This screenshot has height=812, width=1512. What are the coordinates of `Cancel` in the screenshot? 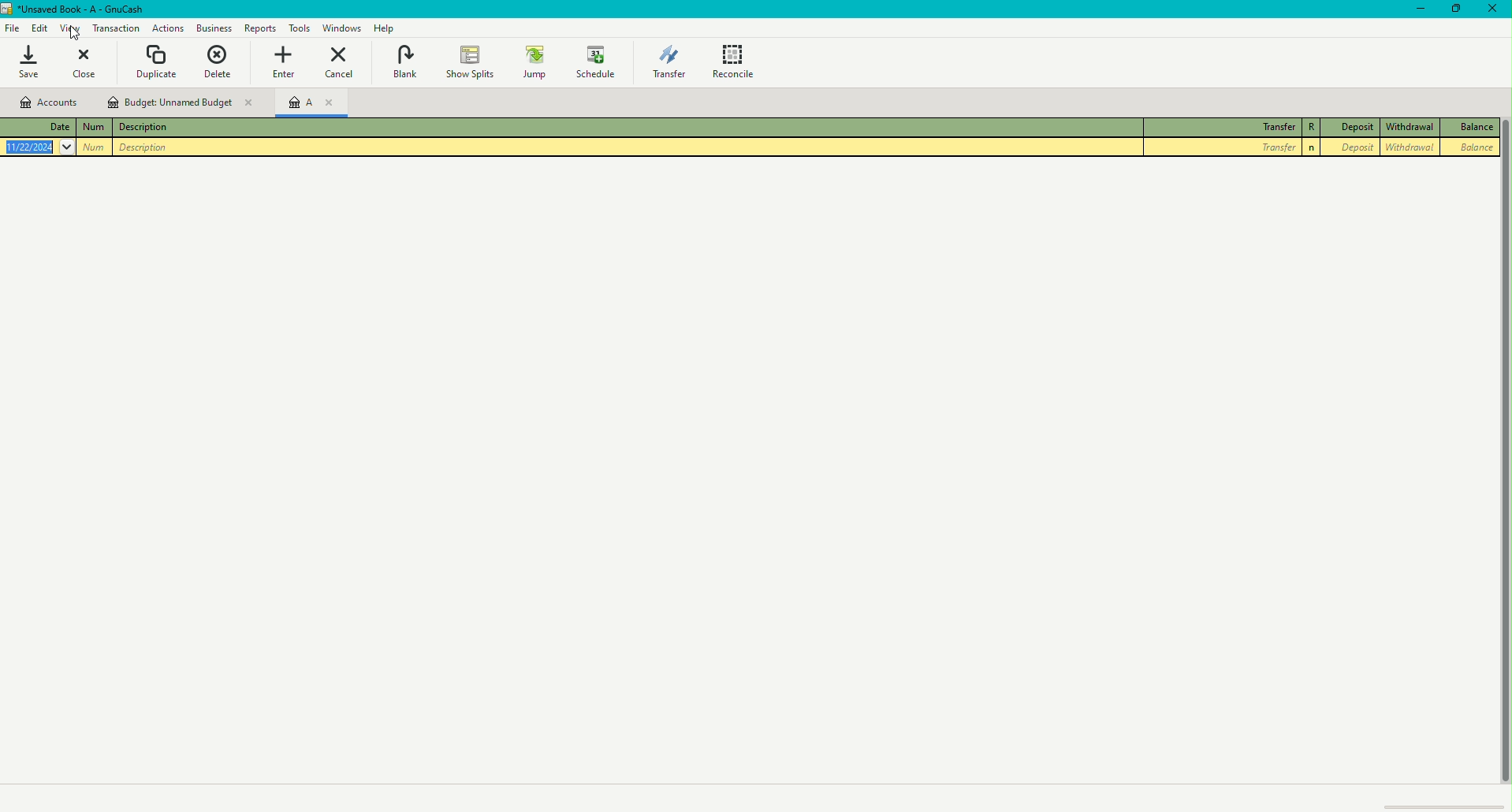 It's located at (340, 65).